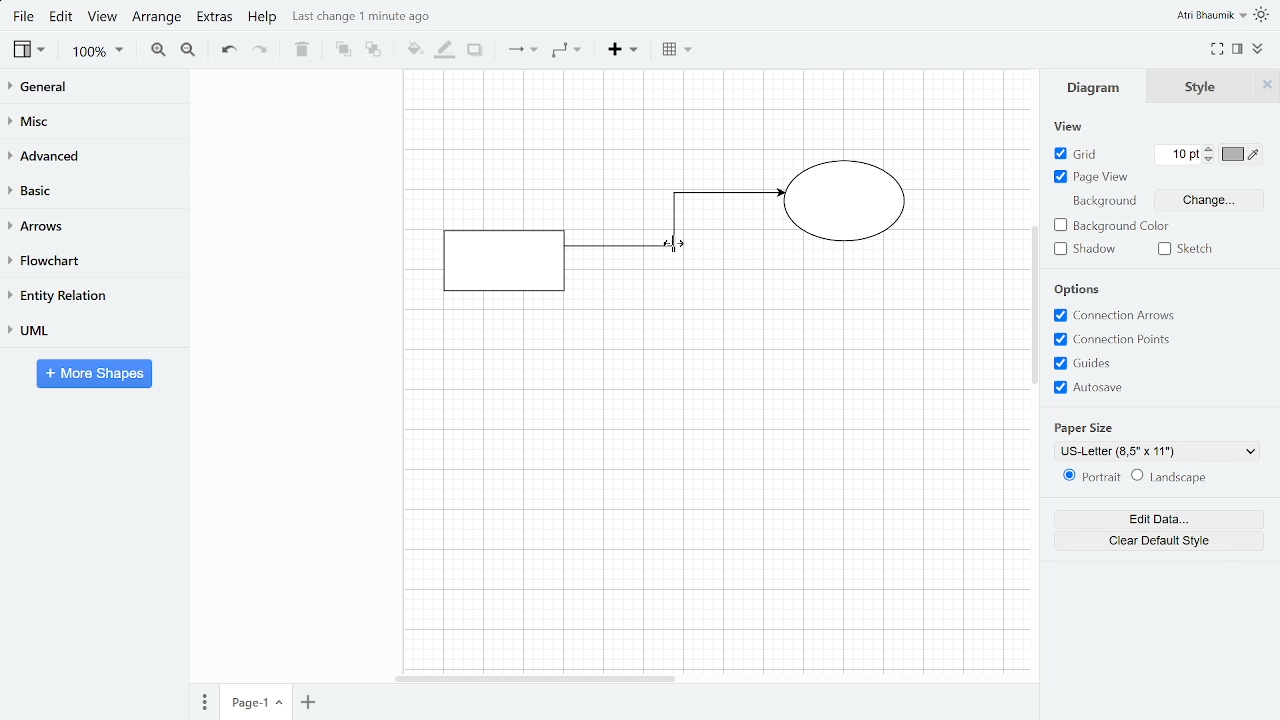 The height and width of the screenshot is (720, 1280). Describe the element at coordinates (97, 53) in the screenshot. I see `Zoom` at that location.